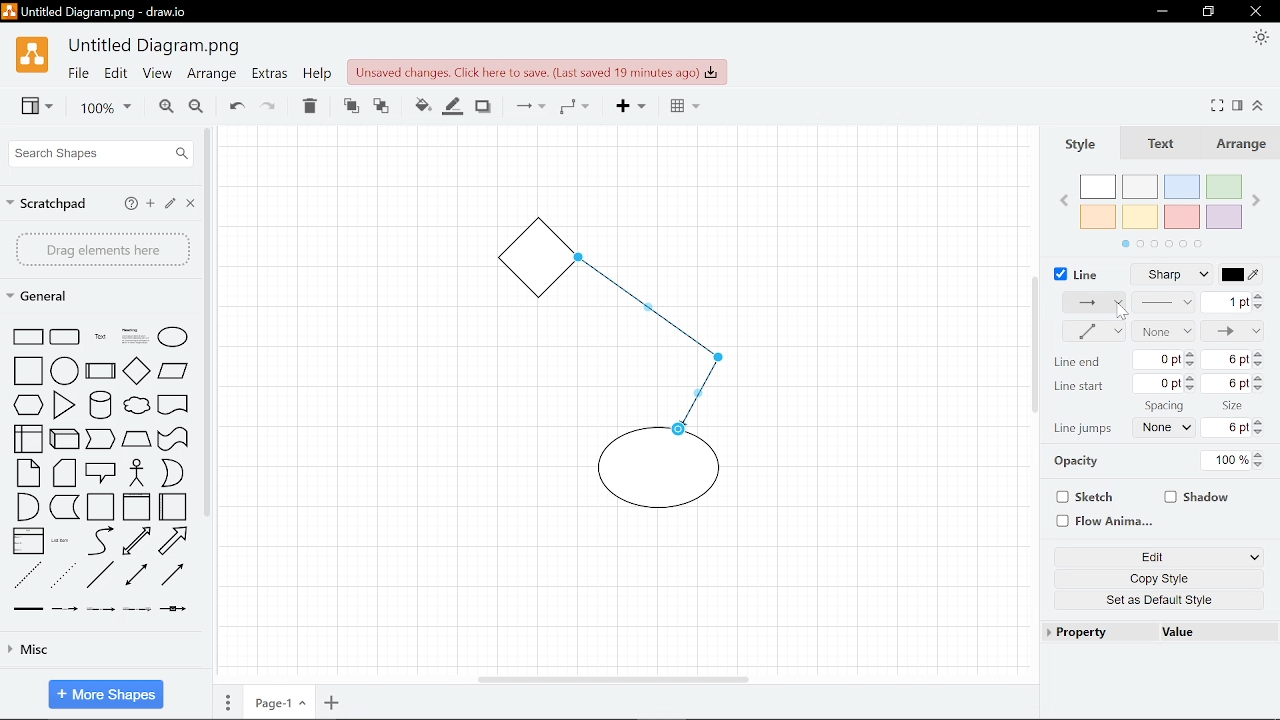  What do you see at coordinates (179, 541) in the screenshot?
I see `shape` at bounding box center [179, 541].